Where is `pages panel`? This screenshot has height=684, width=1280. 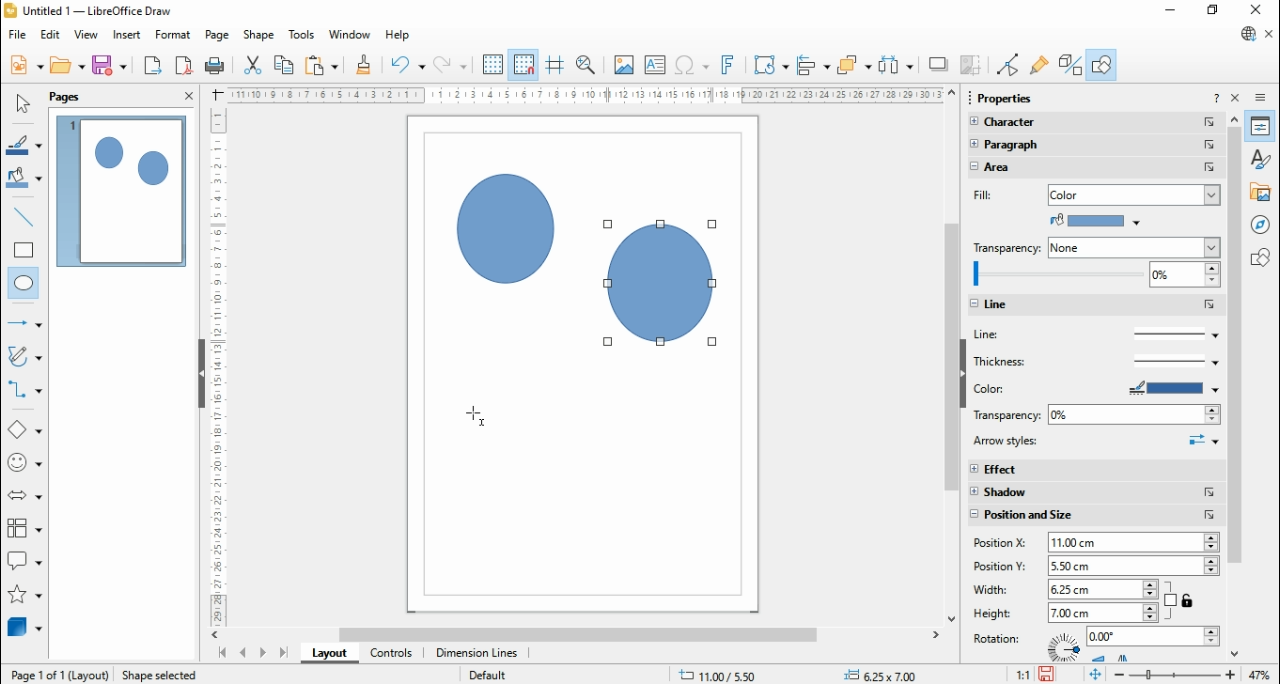 pages panel is located at coordinates (79, 97).